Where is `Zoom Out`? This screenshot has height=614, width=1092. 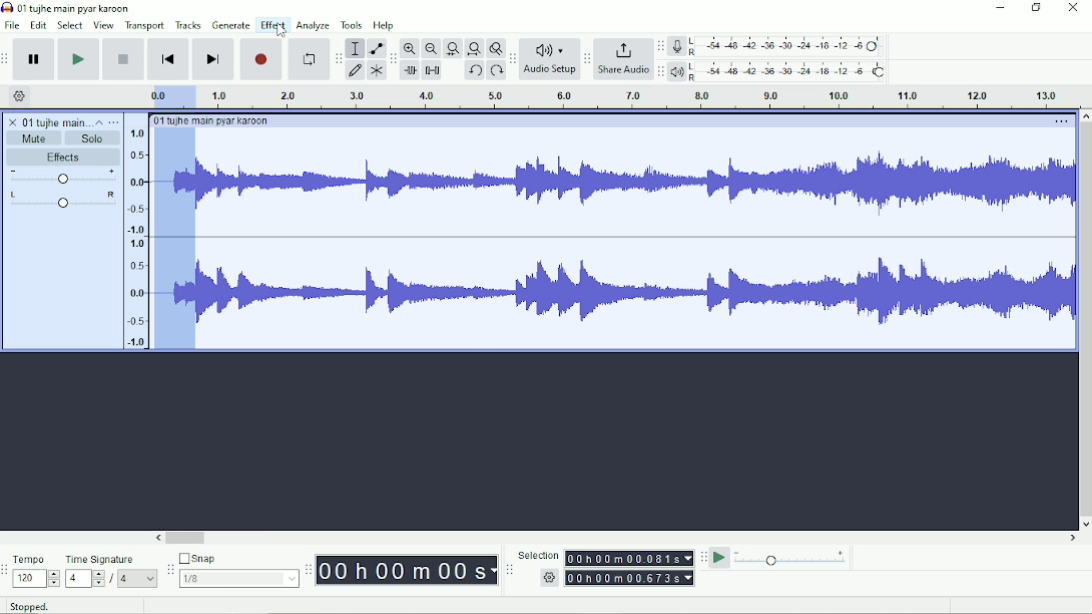
Zoom Out is located at coordinates (431, 49).